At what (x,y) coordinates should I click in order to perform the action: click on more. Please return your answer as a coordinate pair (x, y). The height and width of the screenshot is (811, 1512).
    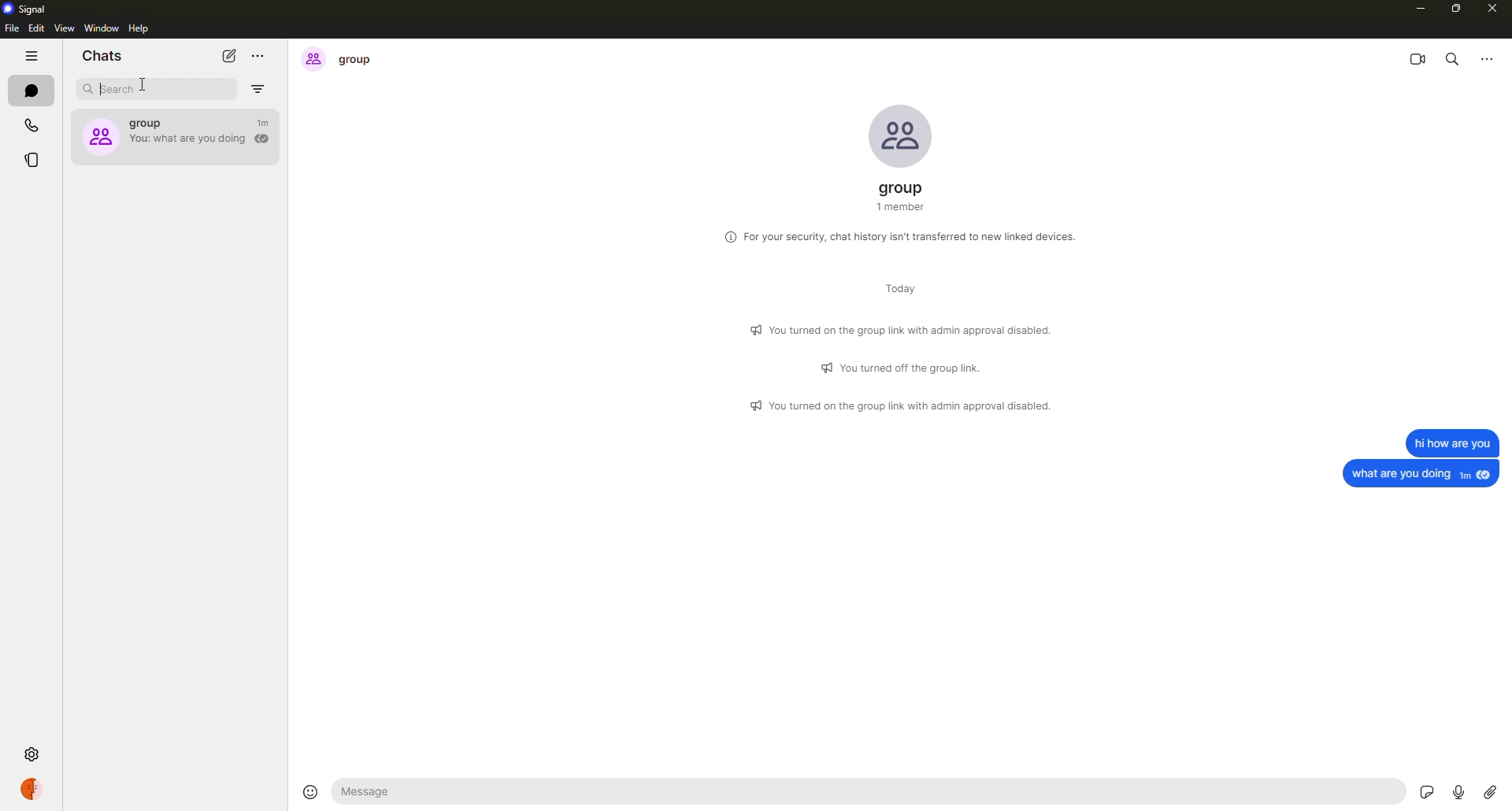
    Looking at the image, I should click on (260, 54).